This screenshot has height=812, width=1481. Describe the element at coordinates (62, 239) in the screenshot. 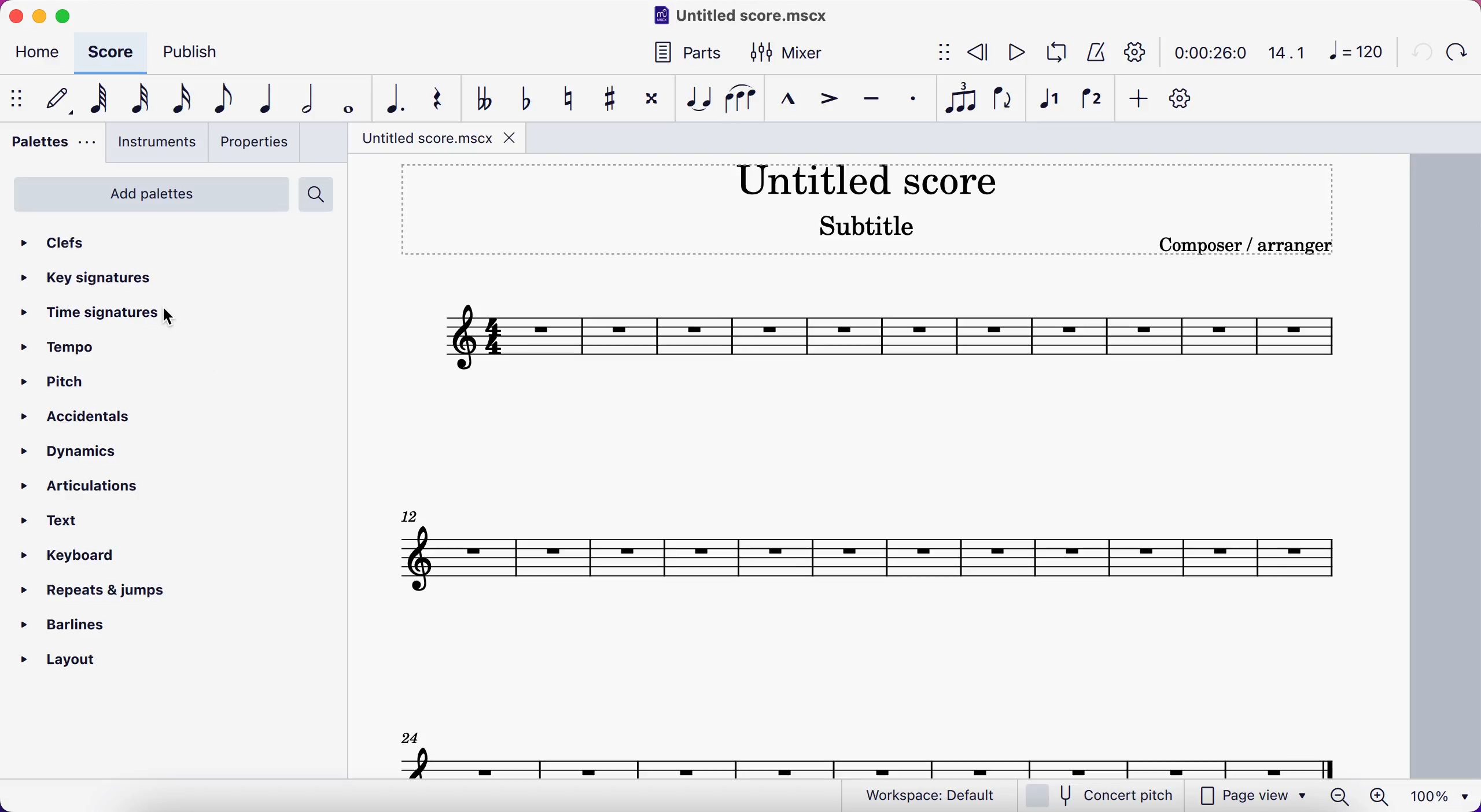

I see `clefs` at that location.